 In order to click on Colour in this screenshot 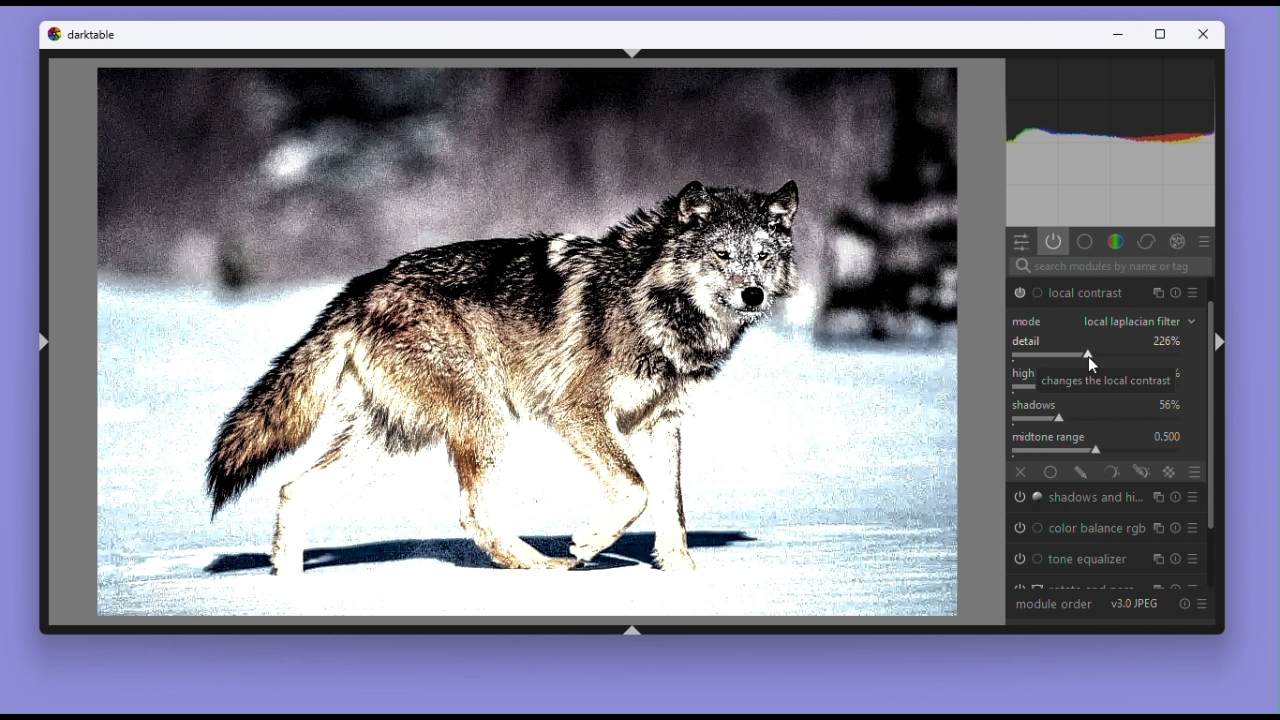, I will do `click(1114, 241)`.